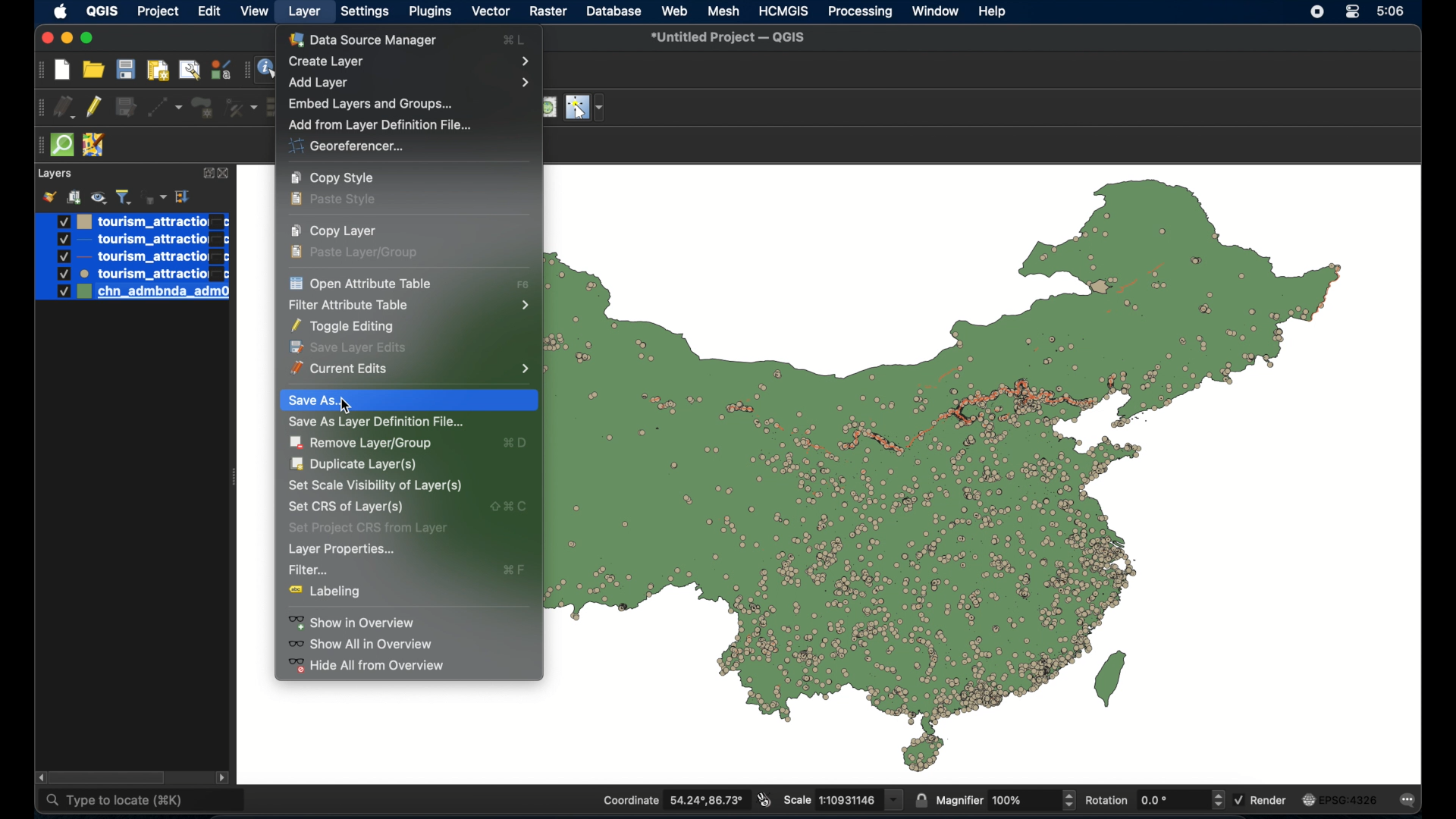  Describe the element at coordinates (516, 571) in the screenshot. I see `filter shortcut` at that location.